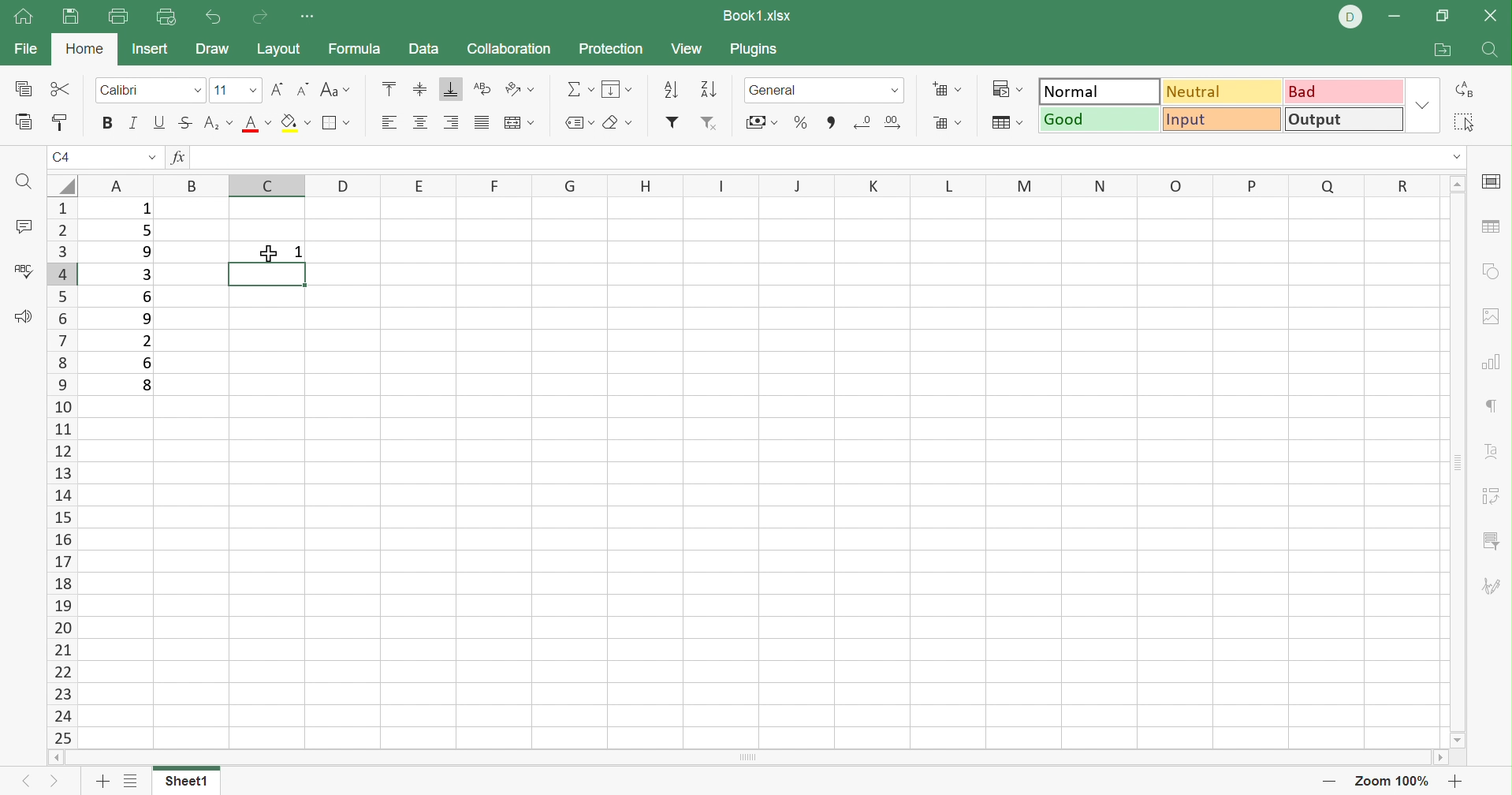 The width and height of the screenshot is (1512, 795). Describe the element at coordinates (277, 90) in the screenshot. I see `Increment font size` at that location.